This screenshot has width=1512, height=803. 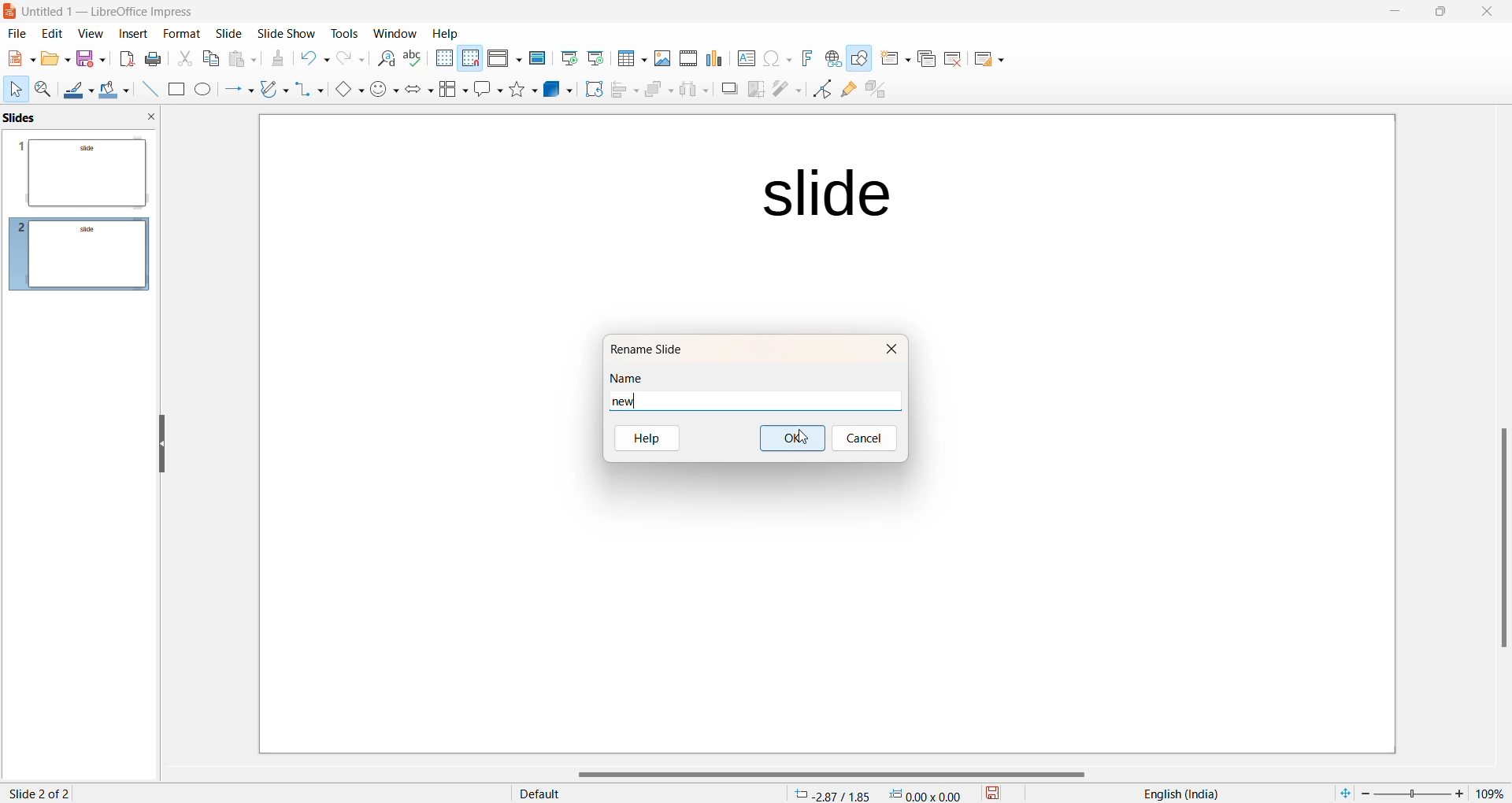 What do you see at coordinates (799, 437) in the screenshot?
I see `cursor` at bounding box center [799, 437].